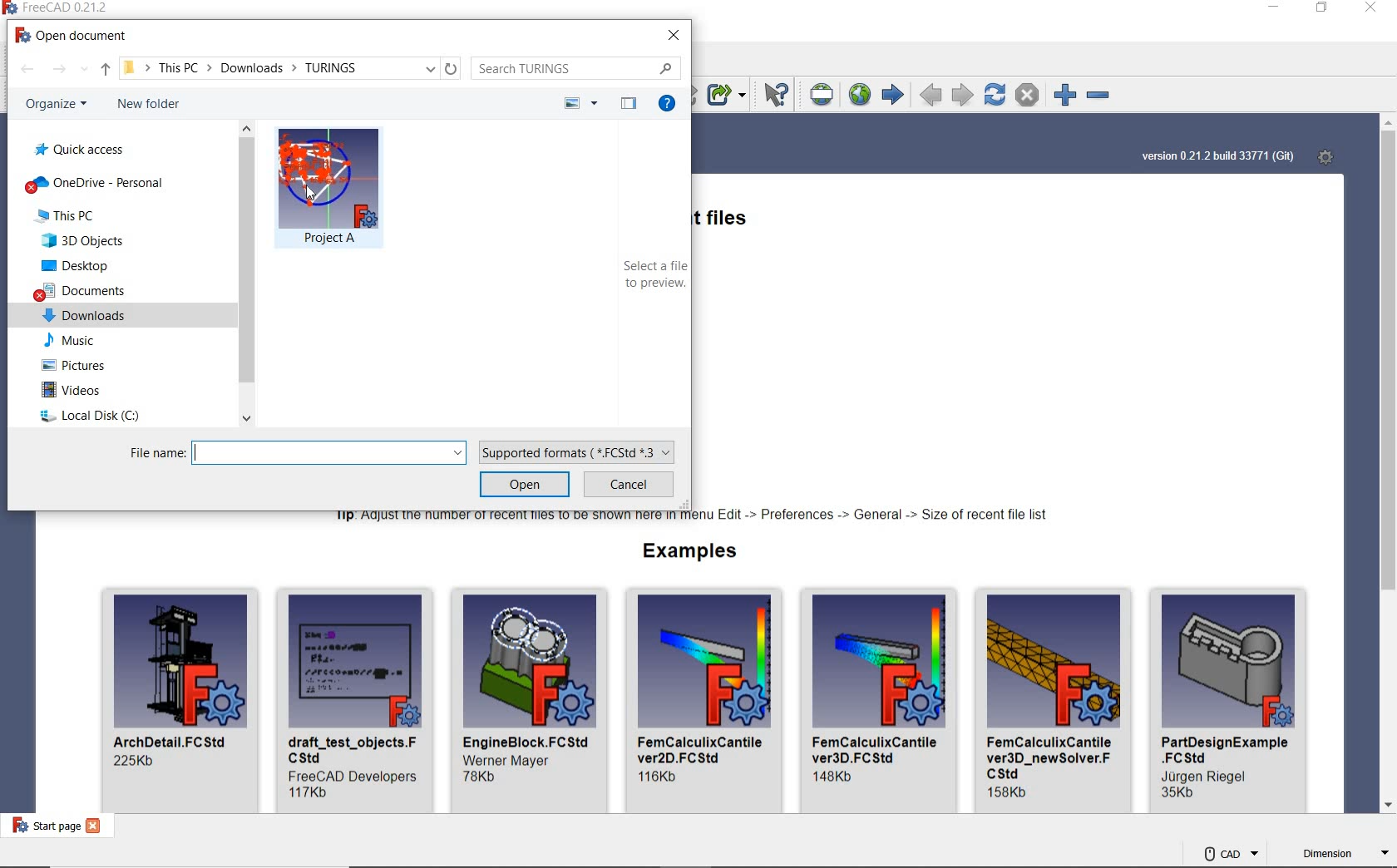 This screenshot has width=1397, height=868. Describe the element at coordinates (86, 242) in the screenshot. I see `3D objects` at that location.